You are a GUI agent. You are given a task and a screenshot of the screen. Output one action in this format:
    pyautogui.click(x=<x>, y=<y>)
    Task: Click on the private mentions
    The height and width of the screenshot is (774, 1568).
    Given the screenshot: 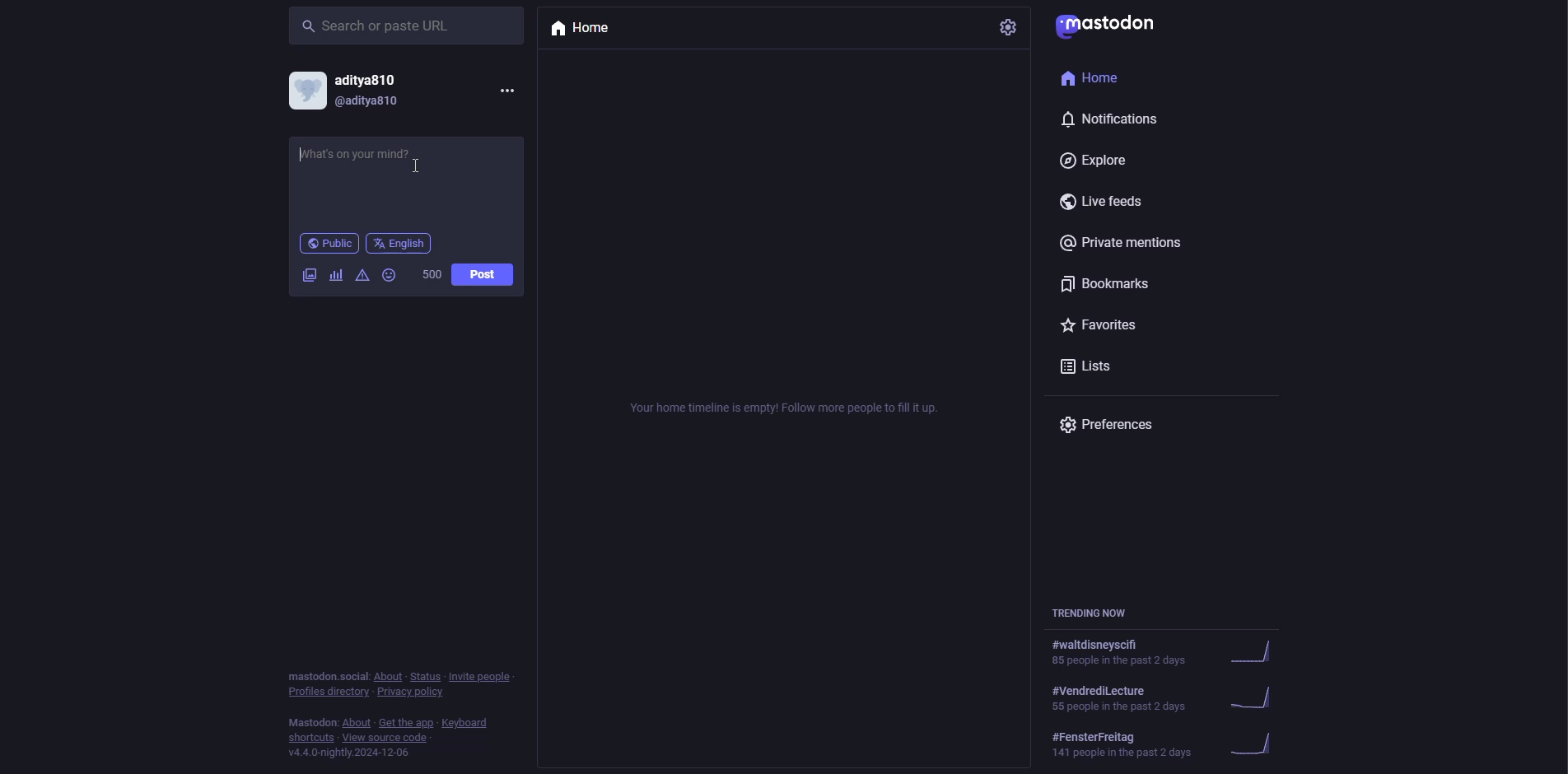 What is the action you would take?
    pyautogui.click(x=1126, y=243)
    